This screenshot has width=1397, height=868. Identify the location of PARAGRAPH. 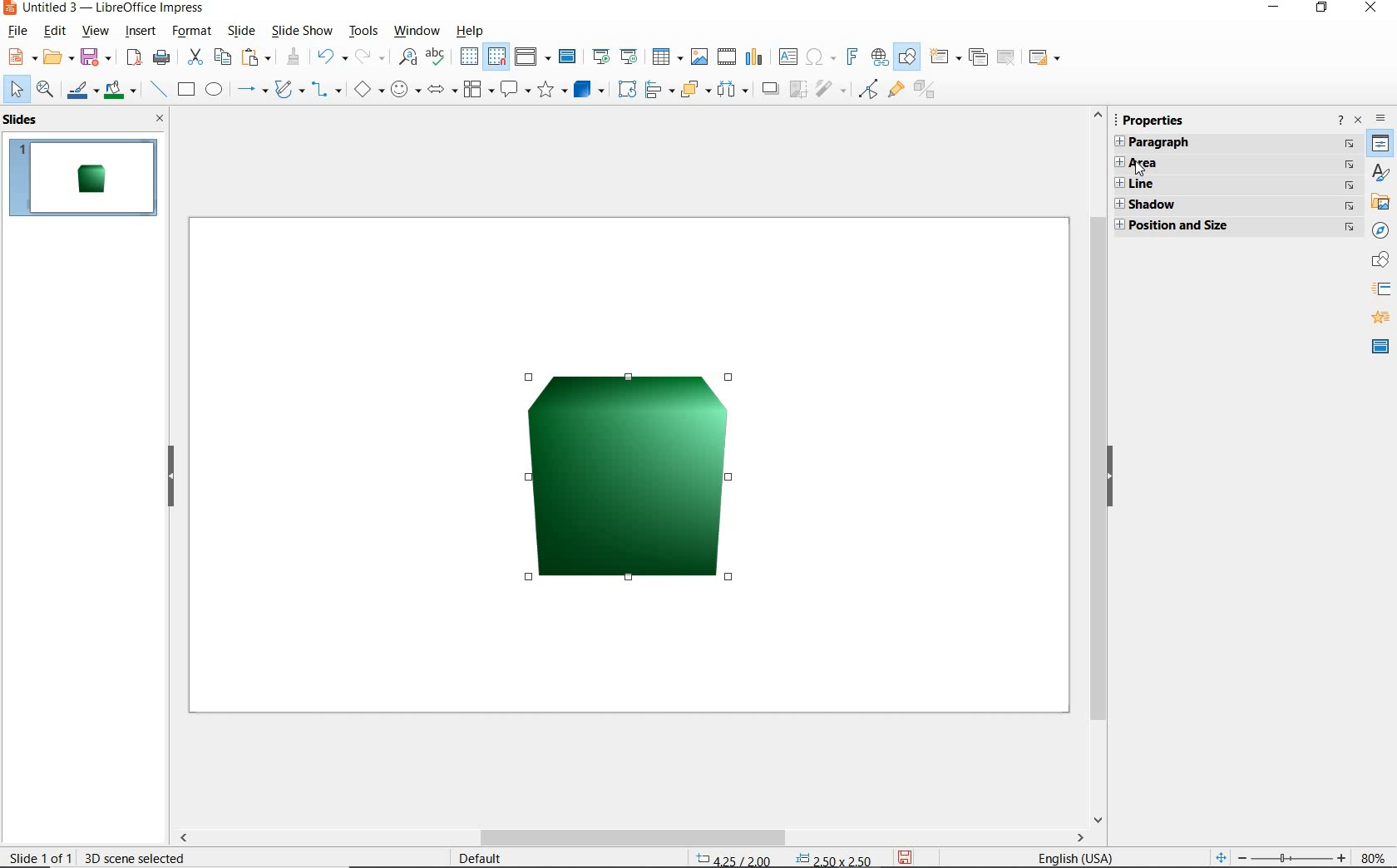
(1233, 144).